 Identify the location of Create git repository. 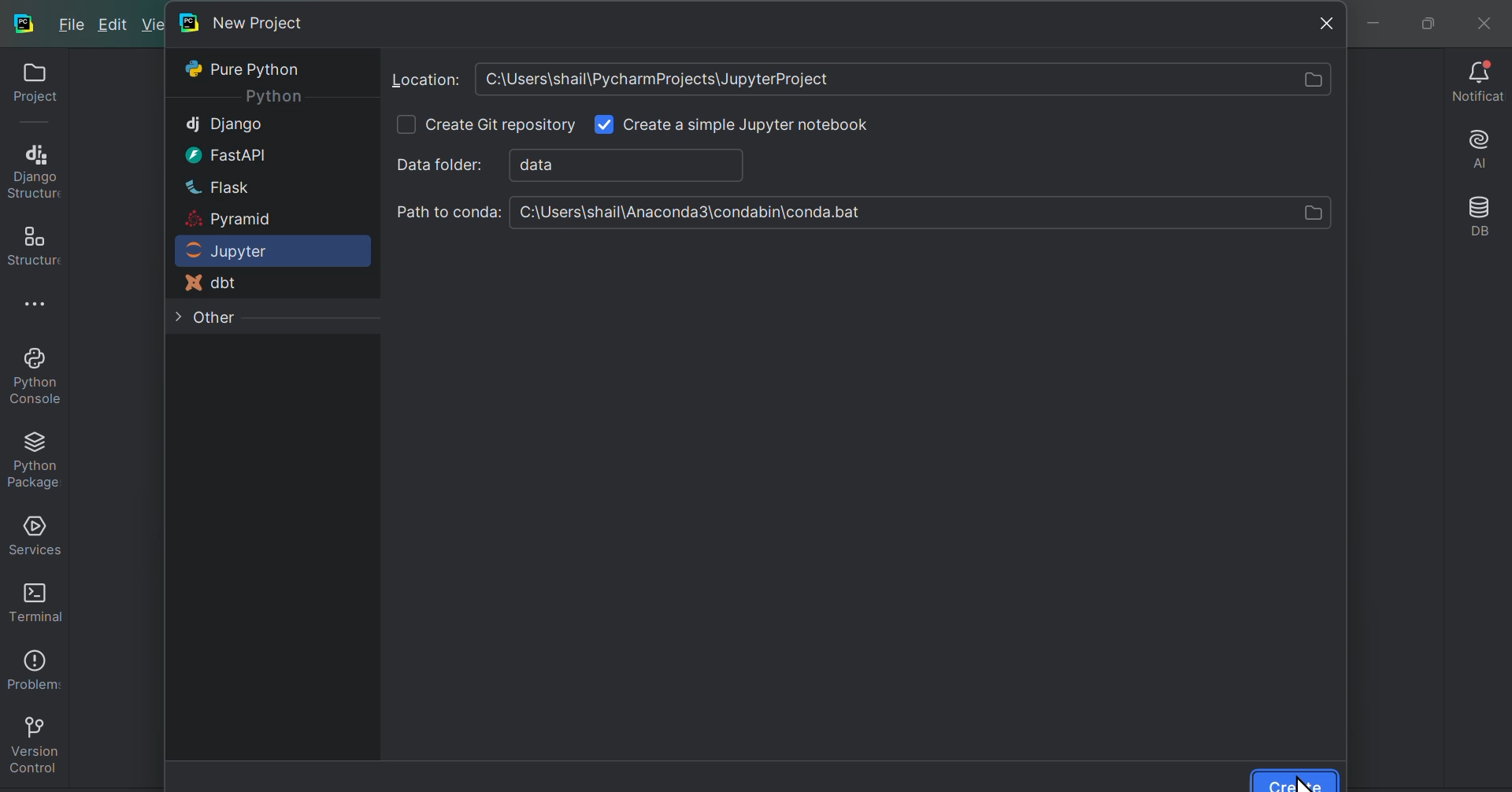
(504, 124).